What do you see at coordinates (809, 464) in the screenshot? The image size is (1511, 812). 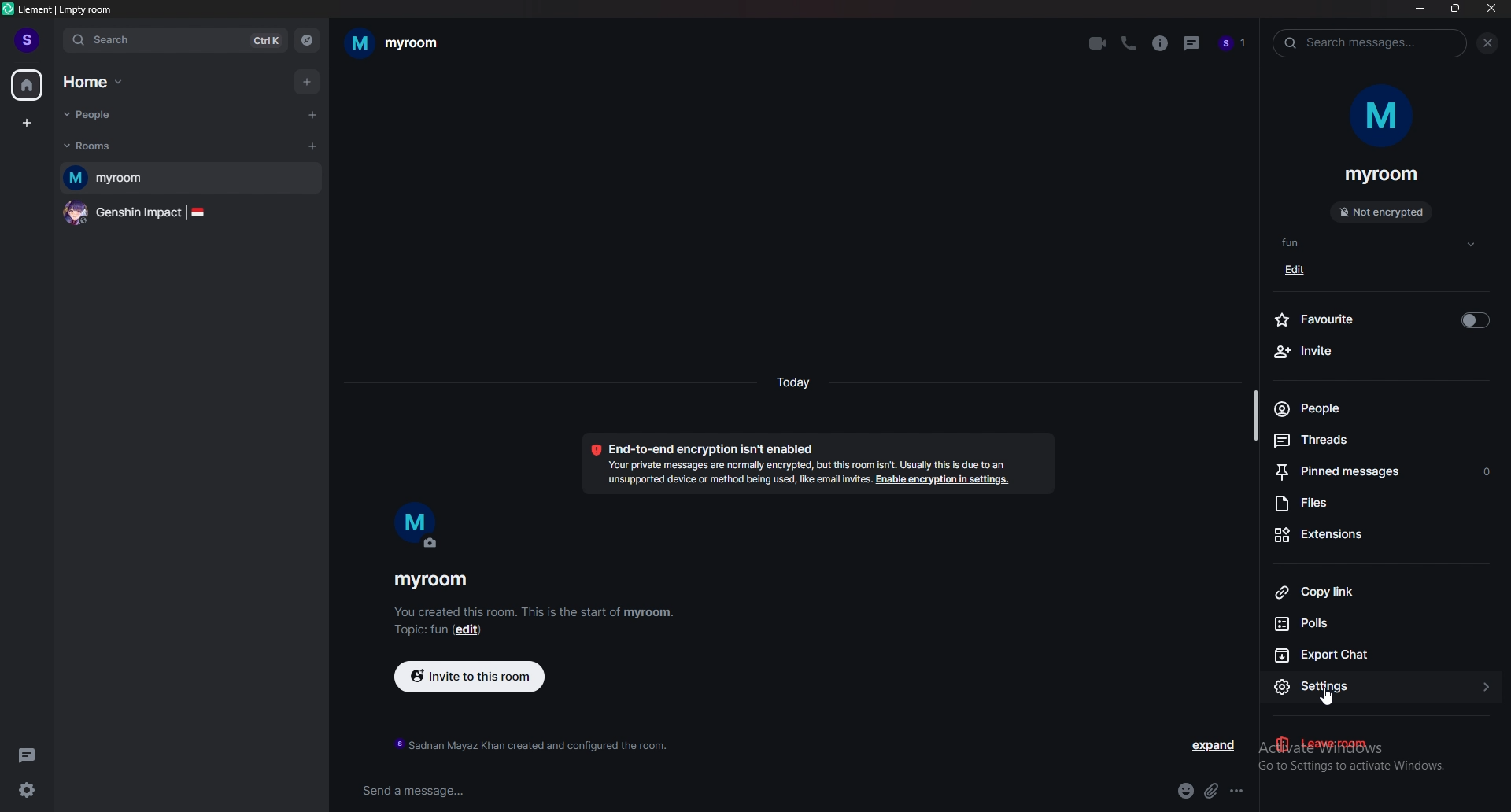 I see `Encryption enabled Messages in this room are end-to-end encrypted. When people join, you can verify them in their profile, just tap on their profile picture.` at bounding box center [809, 464].